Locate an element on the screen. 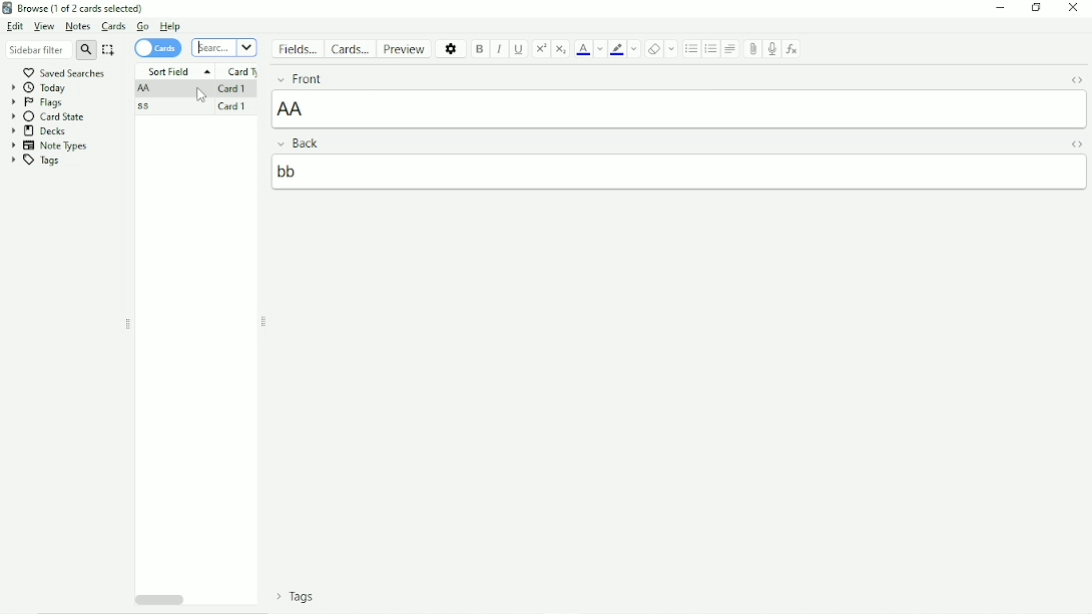 The image size is (1092, 614). Front is located at coordinates (303, 80).